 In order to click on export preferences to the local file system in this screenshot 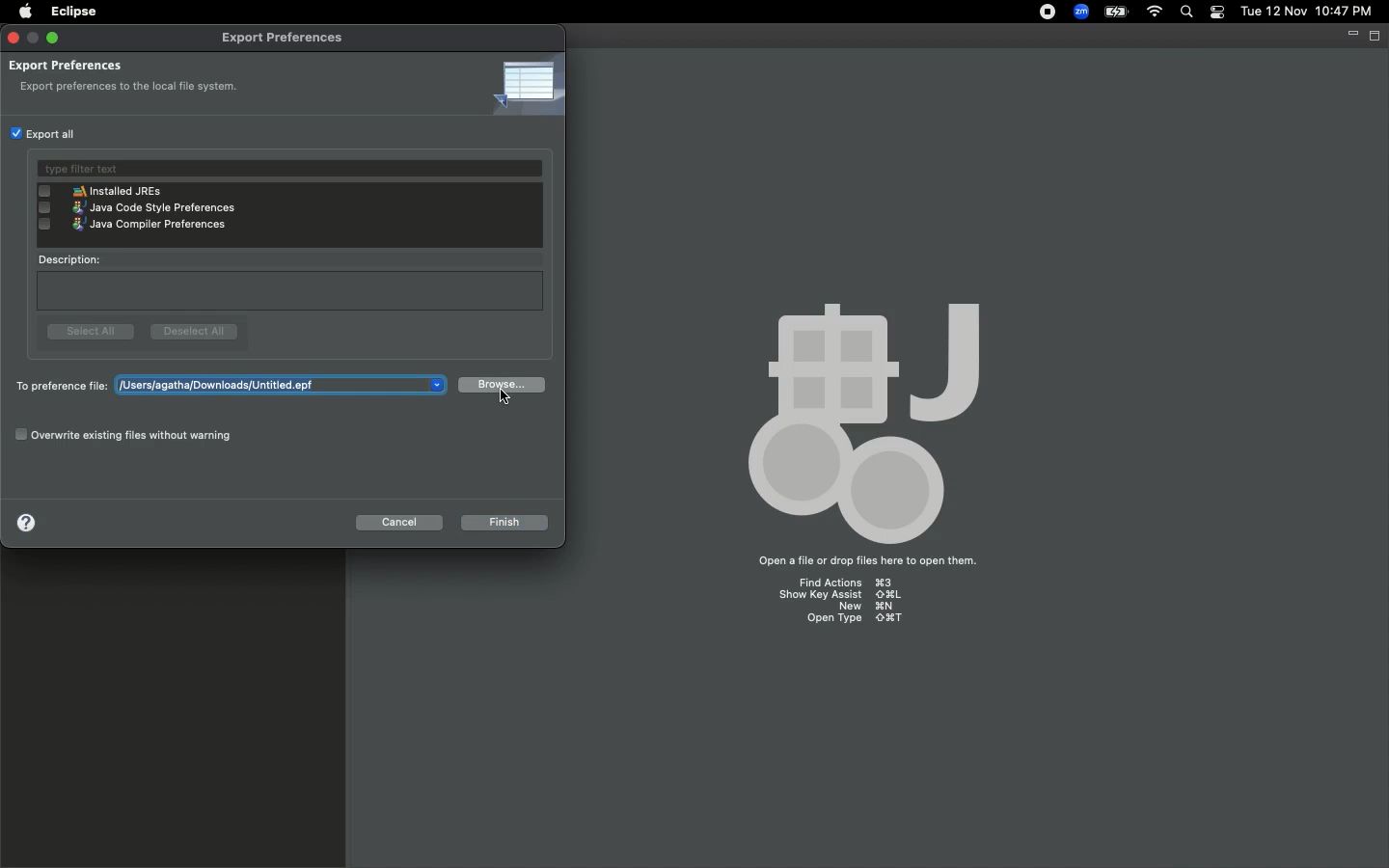, I will do `click(126, 88)`.